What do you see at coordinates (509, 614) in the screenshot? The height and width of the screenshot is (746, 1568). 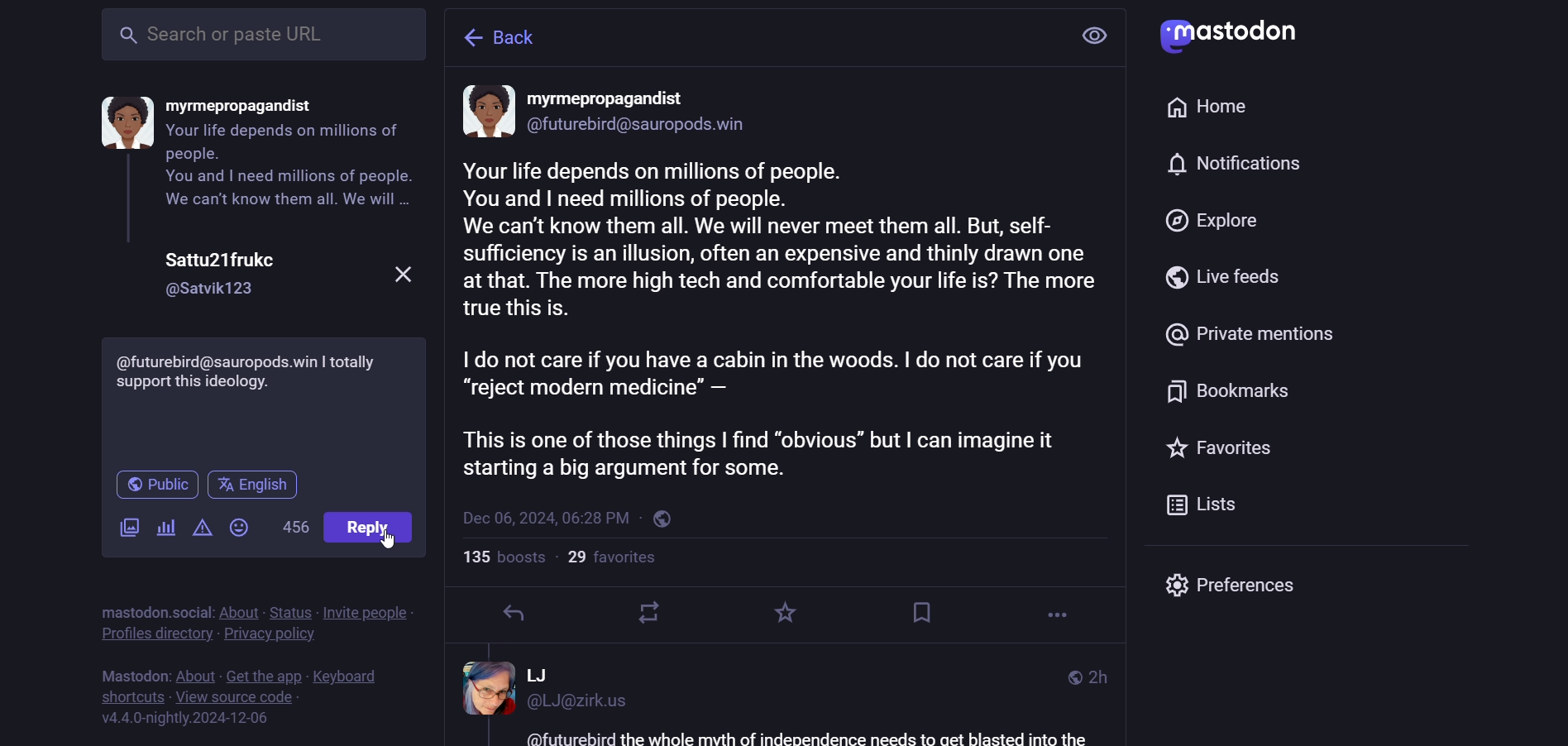 I see `reply` at bounding box center [509, 614].